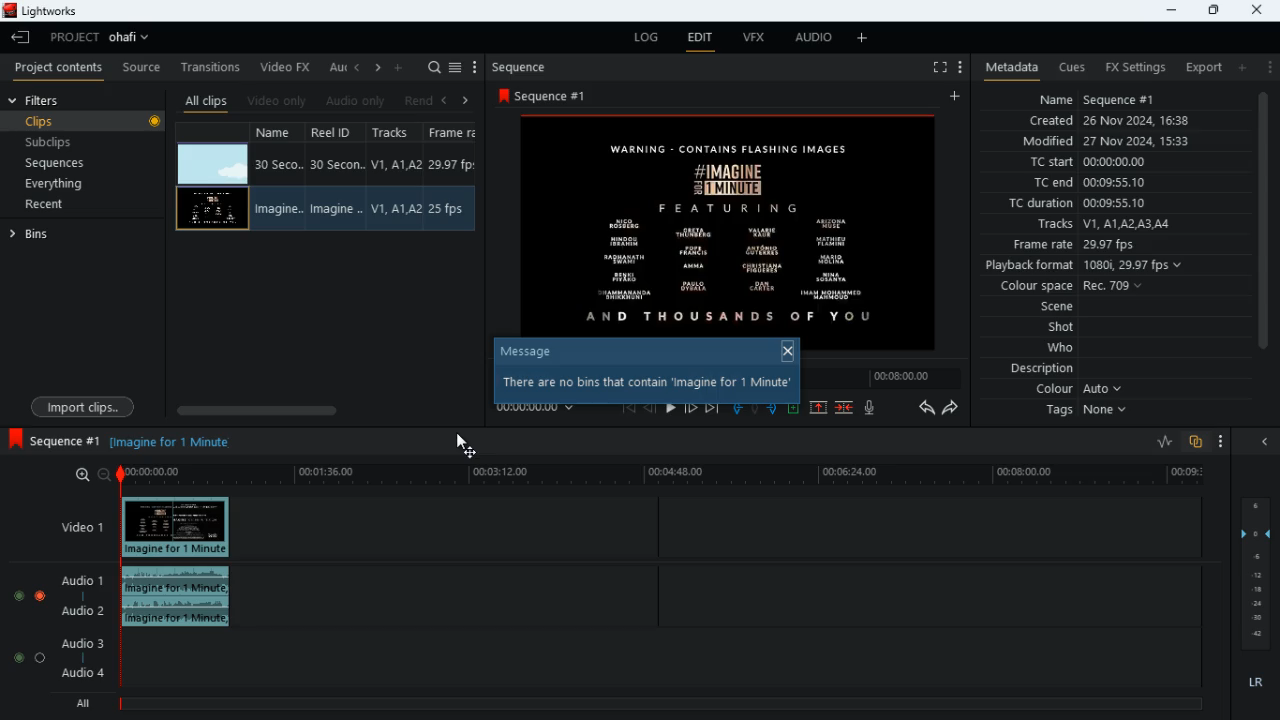  What do you see at coordinates (1193, 442) in the screenshot?
I see `overlap` at bounding box center [1193, 442].